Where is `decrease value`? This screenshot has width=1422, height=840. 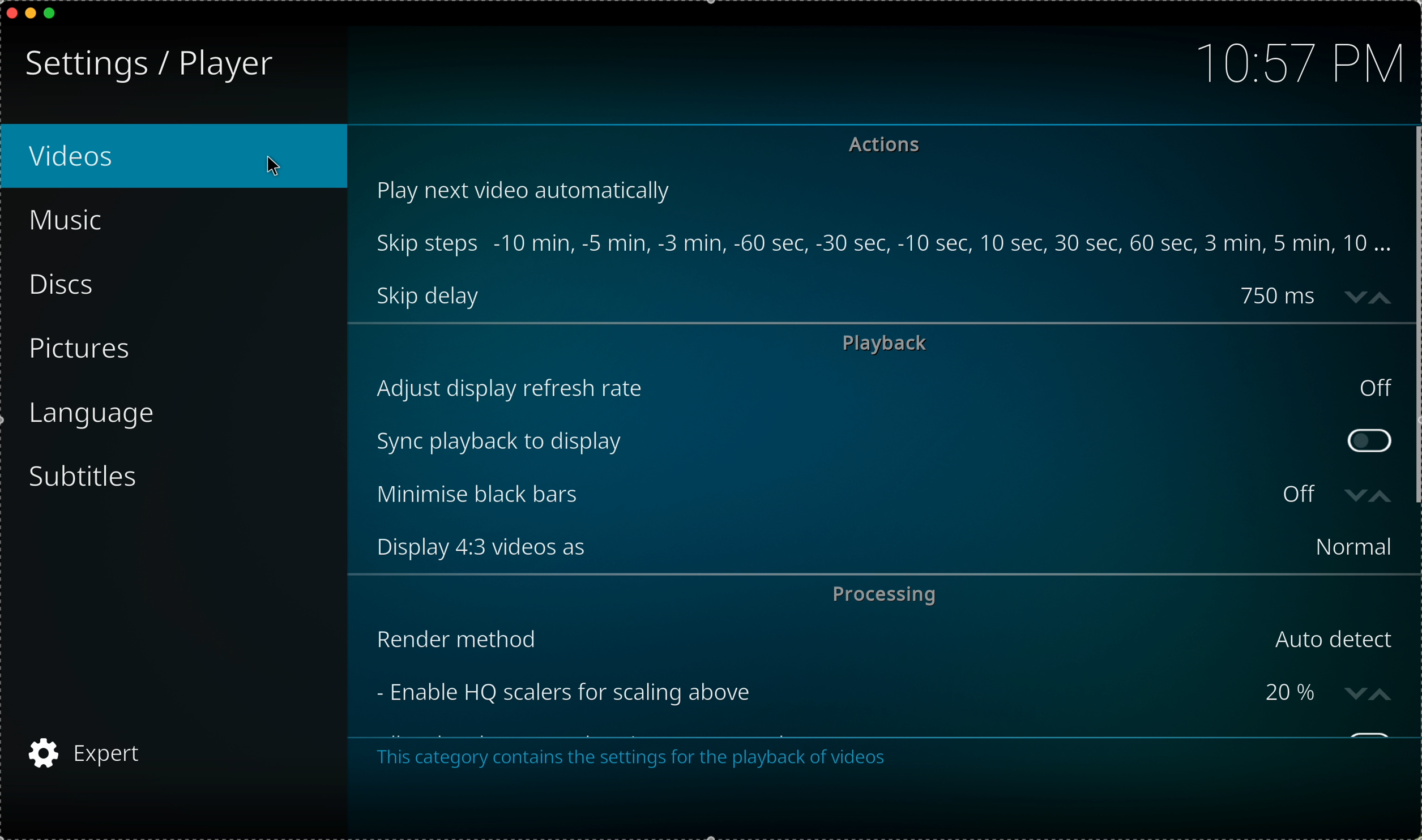 decrease value is located at coordinates (1355, 692).